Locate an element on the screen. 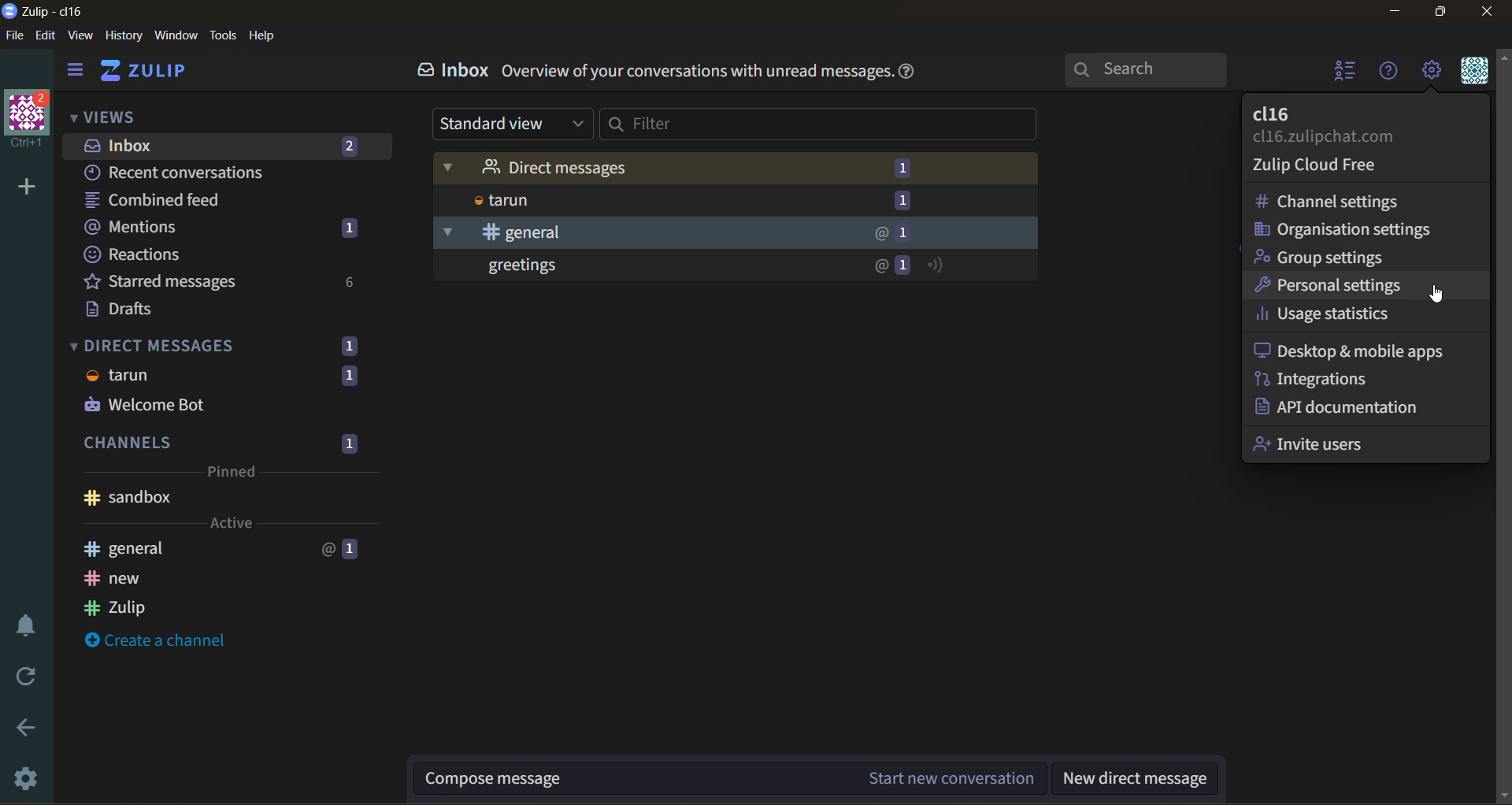 The image size is (1512, 805). greetings is located at coordinates (745, 265).